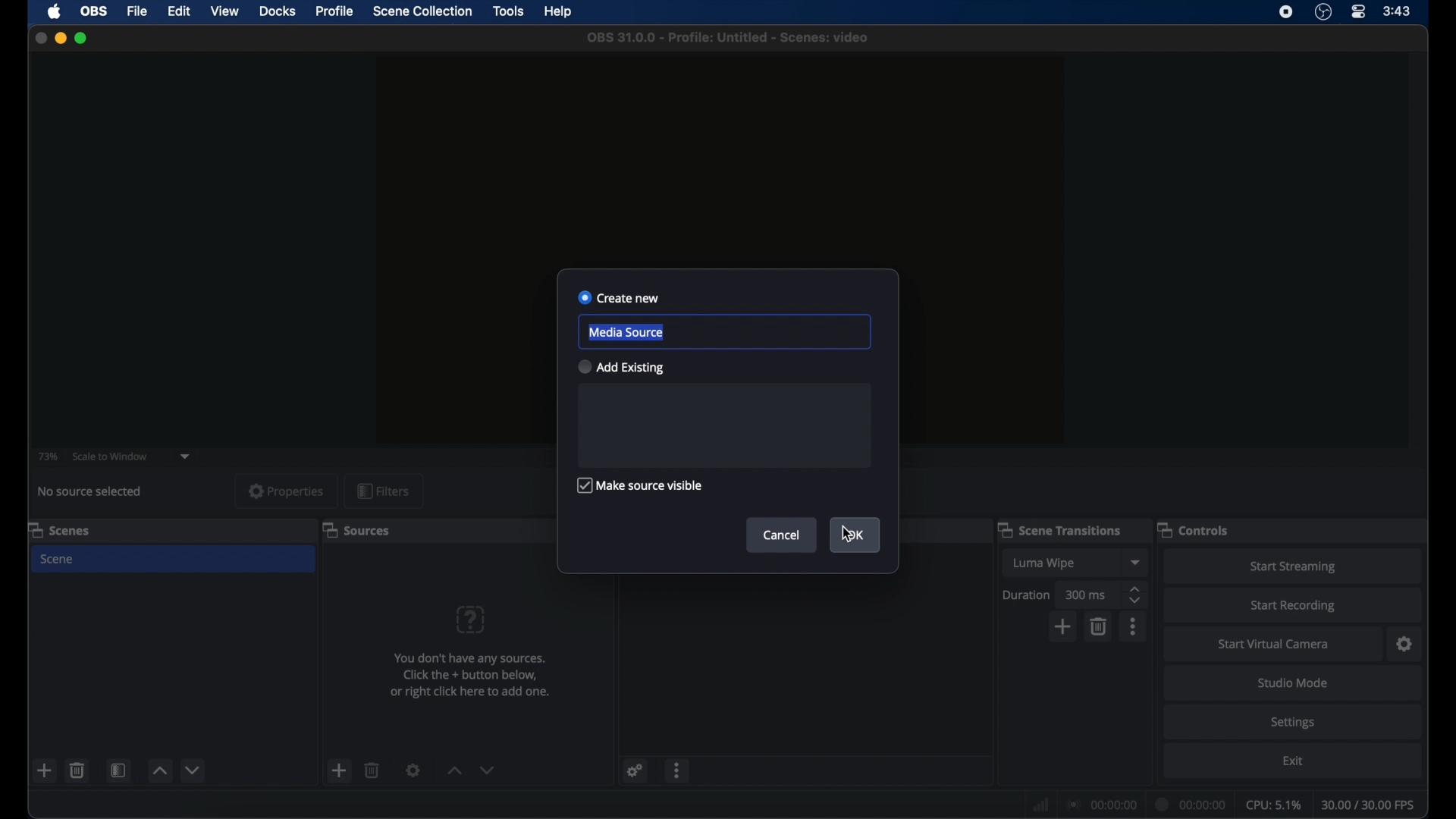 The width and height of the screenshot is (1456, 819). Describe the element at coordinates (60, 37) in the screenshot. I see `minimize` at that location.